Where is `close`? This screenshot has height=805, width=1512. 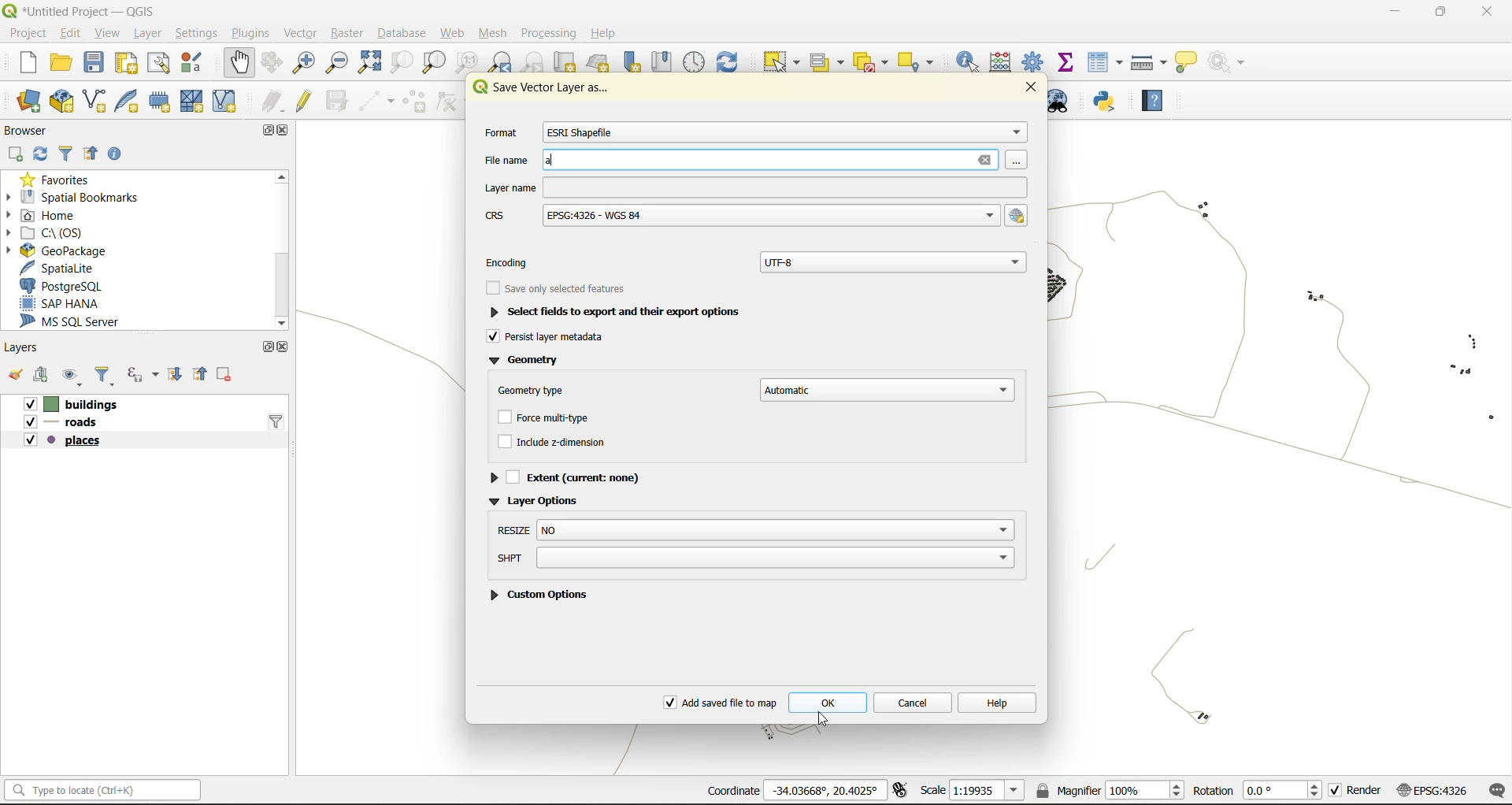 close is located at coordinates (287, 132).